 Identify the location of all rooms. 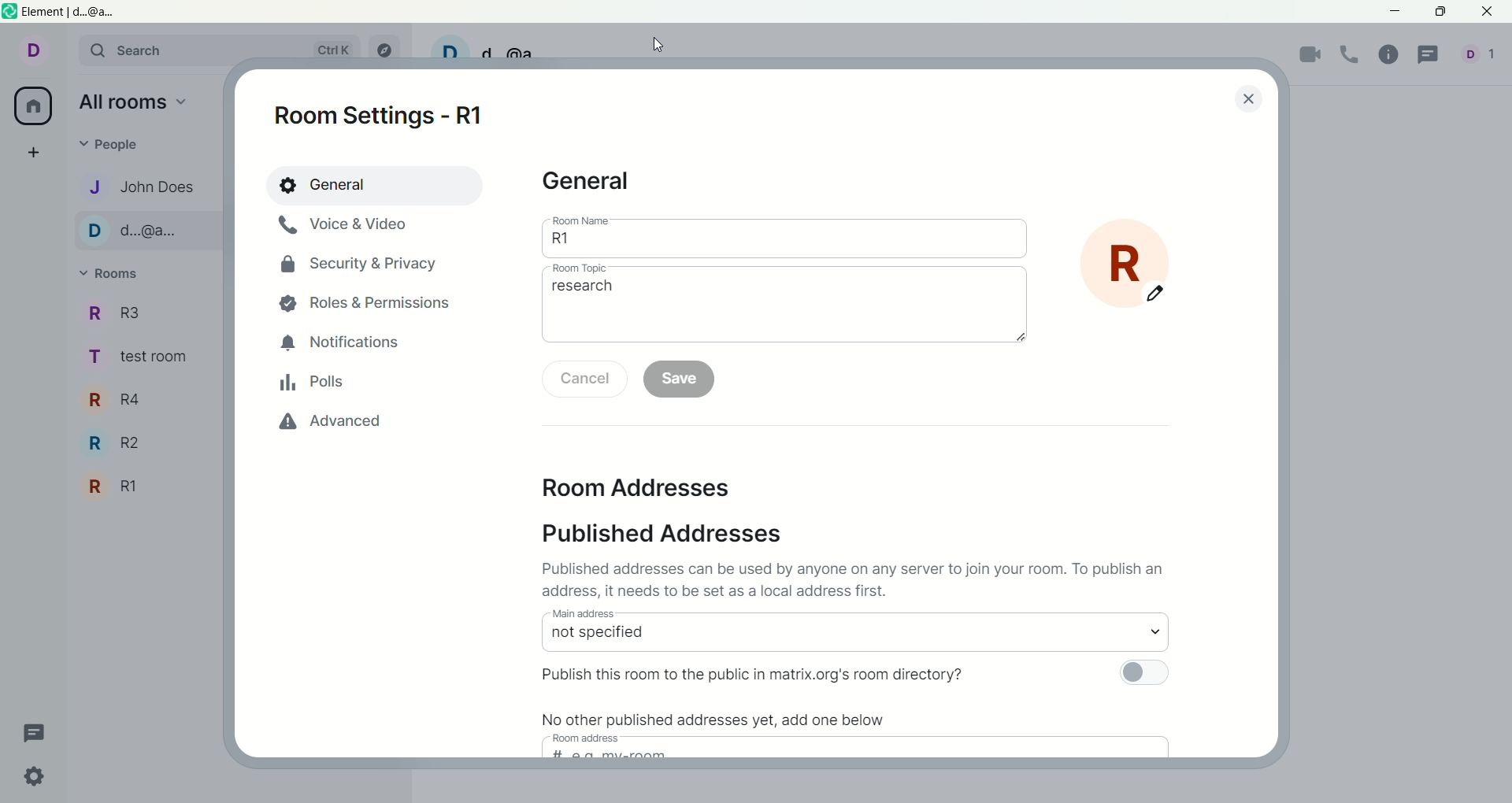
(134, 104).